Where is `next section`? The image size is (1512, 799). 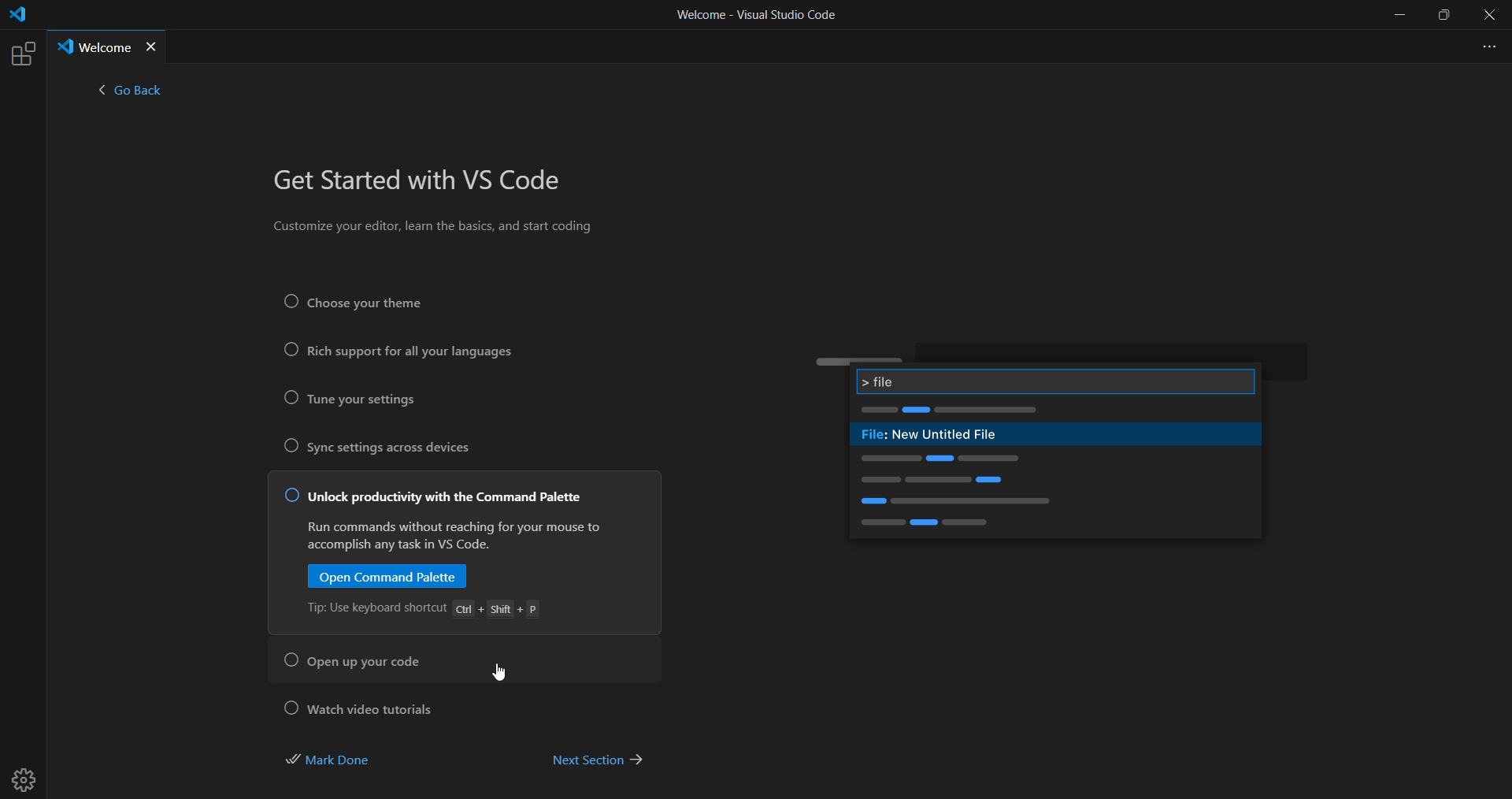
next section is located at coordinates (597, 758).